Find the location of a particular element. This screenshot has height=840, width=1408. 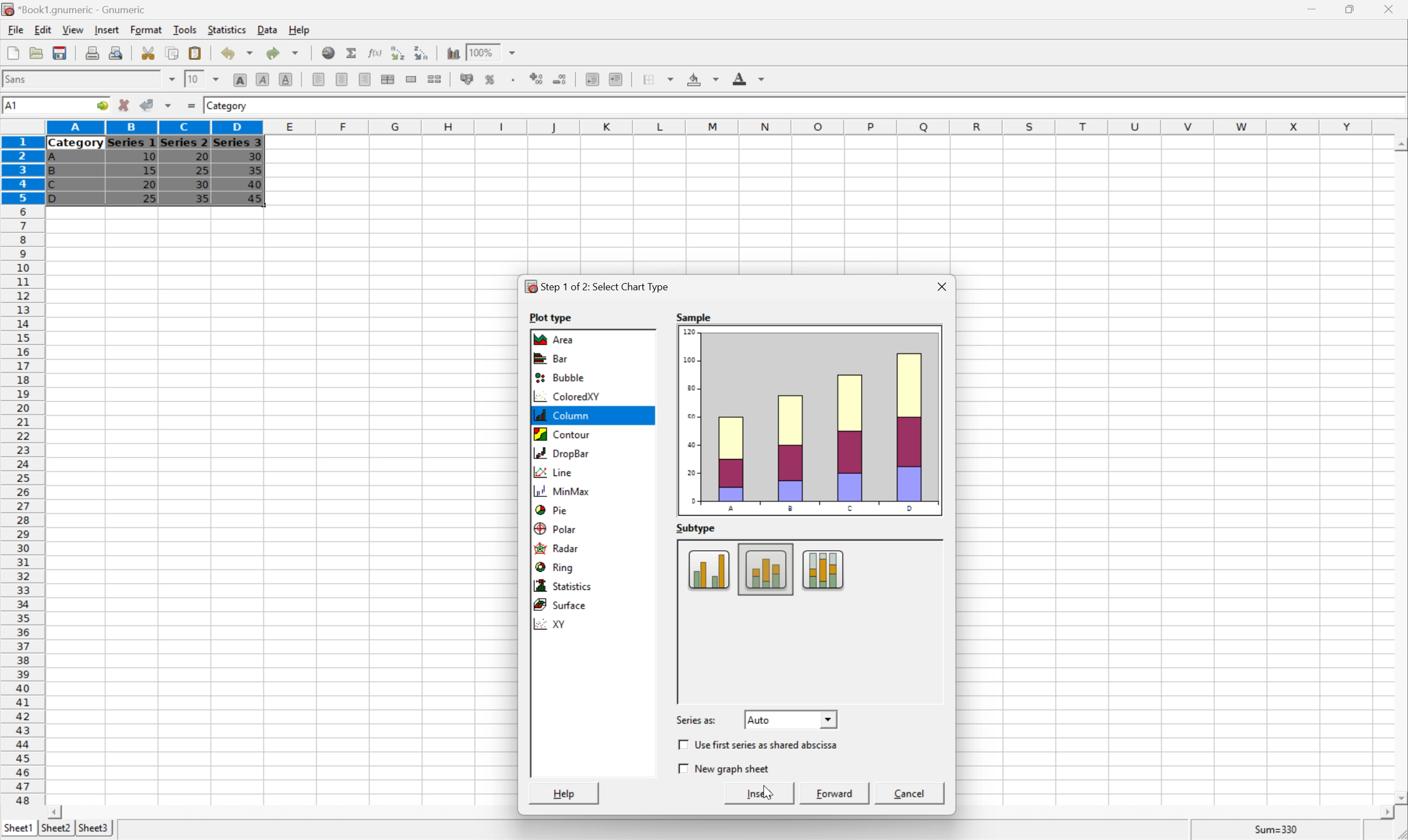

Merge a range of cells is located at coordinates (410, 79).